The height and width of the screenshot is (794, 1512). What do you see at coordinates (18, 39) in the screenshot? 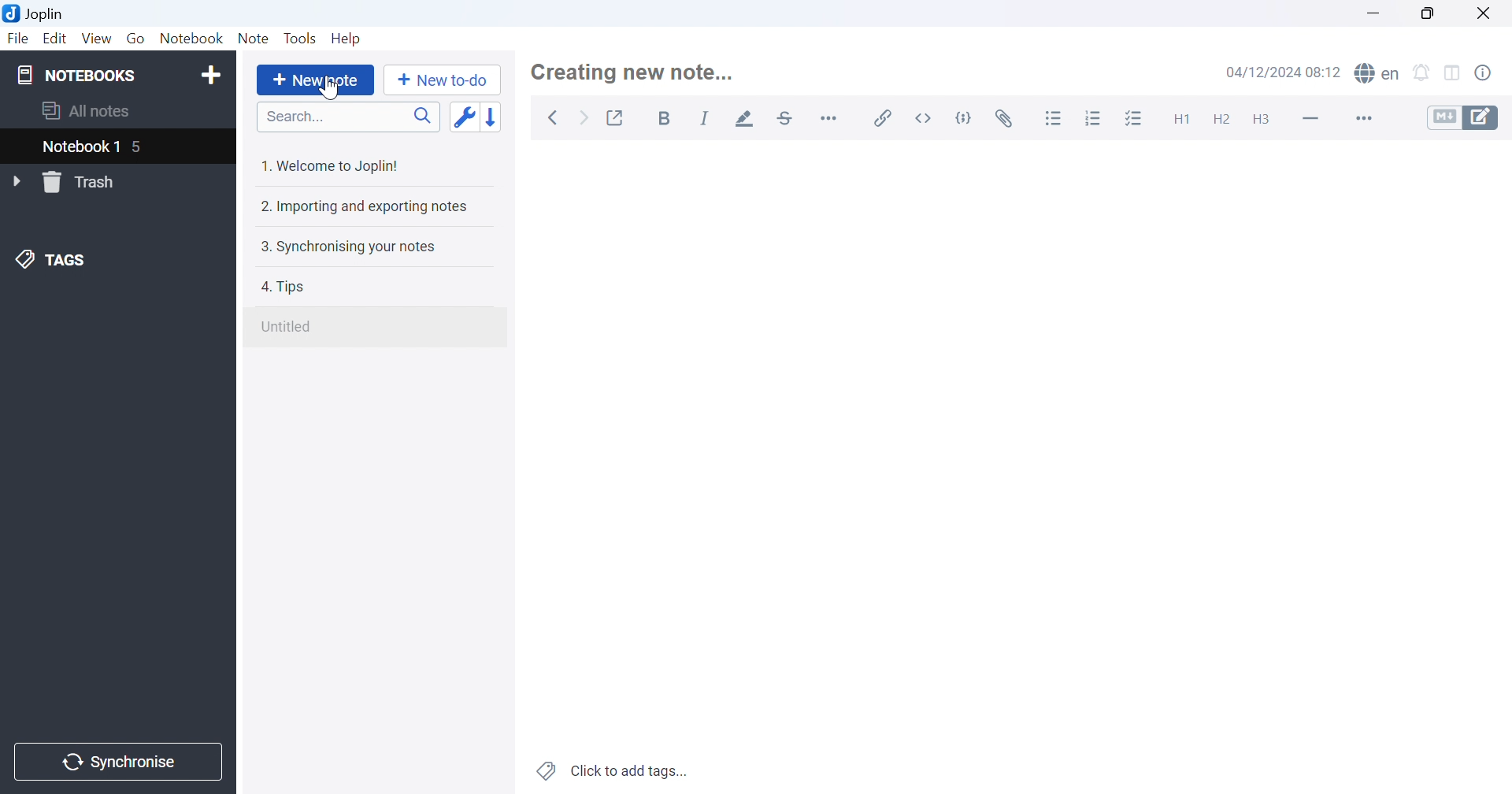
I see `File` at bounding box center [18, 39].